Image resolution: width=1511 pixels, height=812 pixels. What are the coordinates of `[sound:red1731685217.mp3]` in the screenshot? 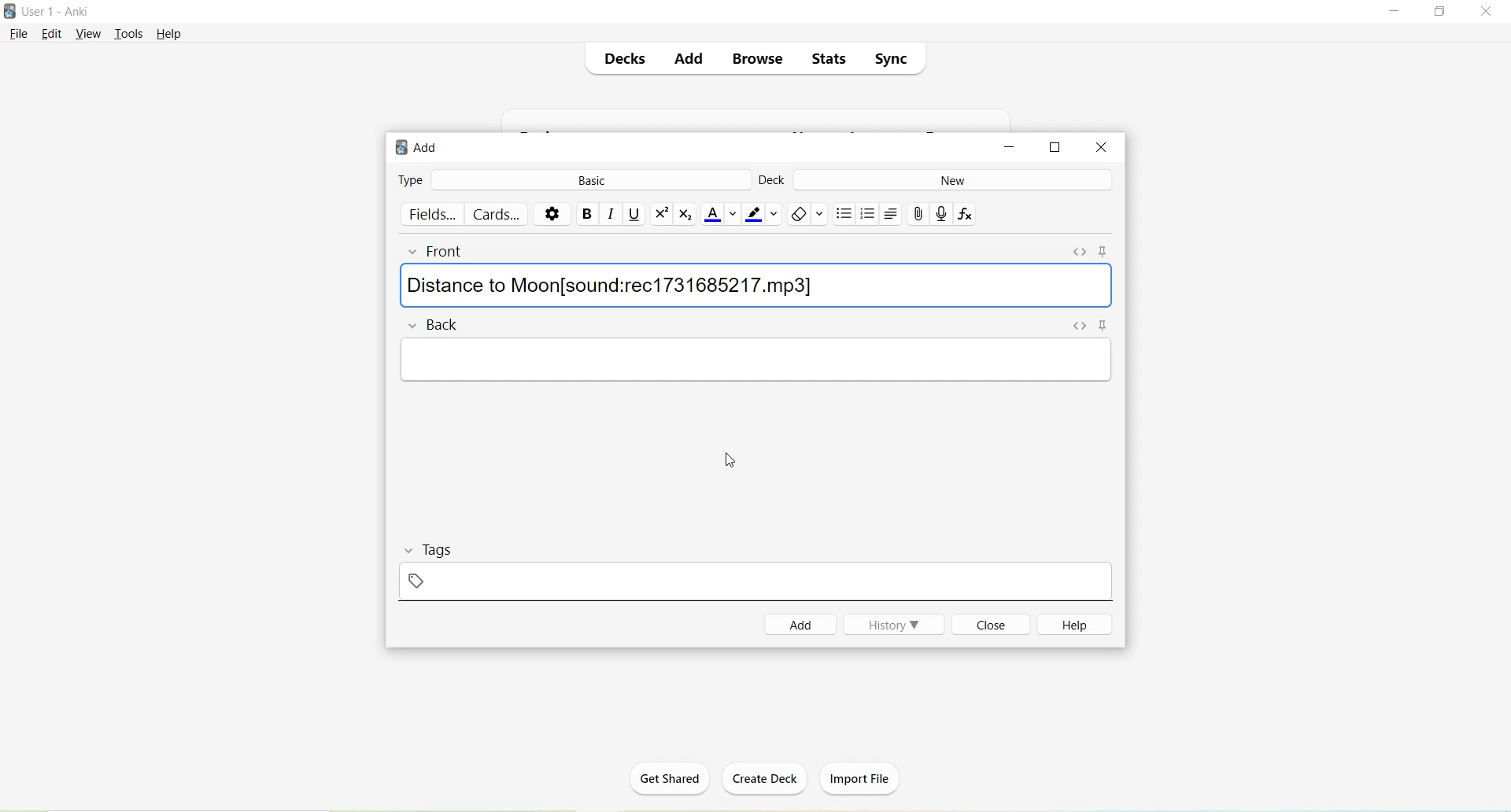 It's located at (689, 287).